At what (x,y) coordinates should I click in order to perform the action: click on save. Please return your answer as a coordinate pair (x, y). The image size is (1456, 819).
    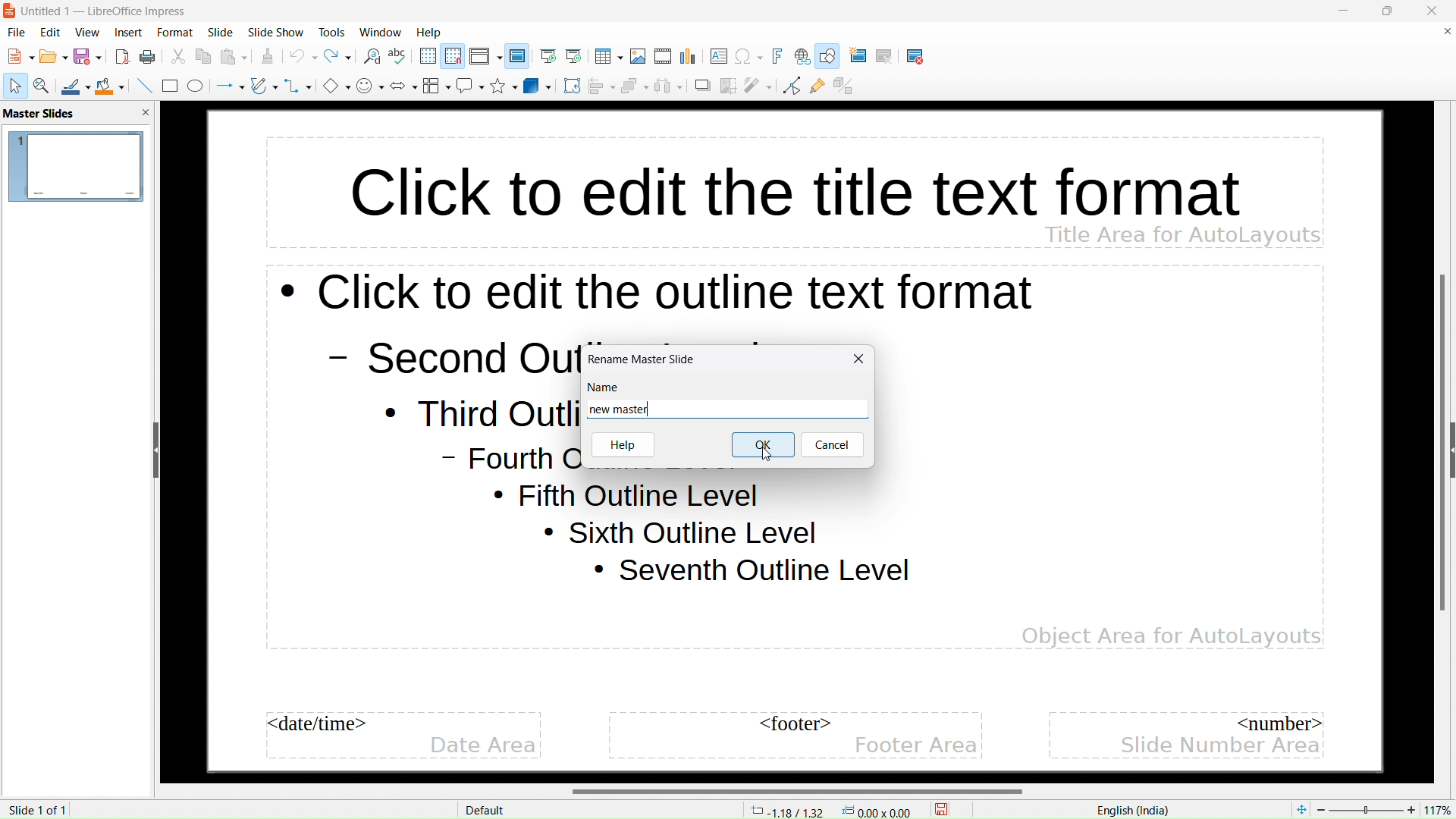
    Looking at the image, I should click on (942, 808).